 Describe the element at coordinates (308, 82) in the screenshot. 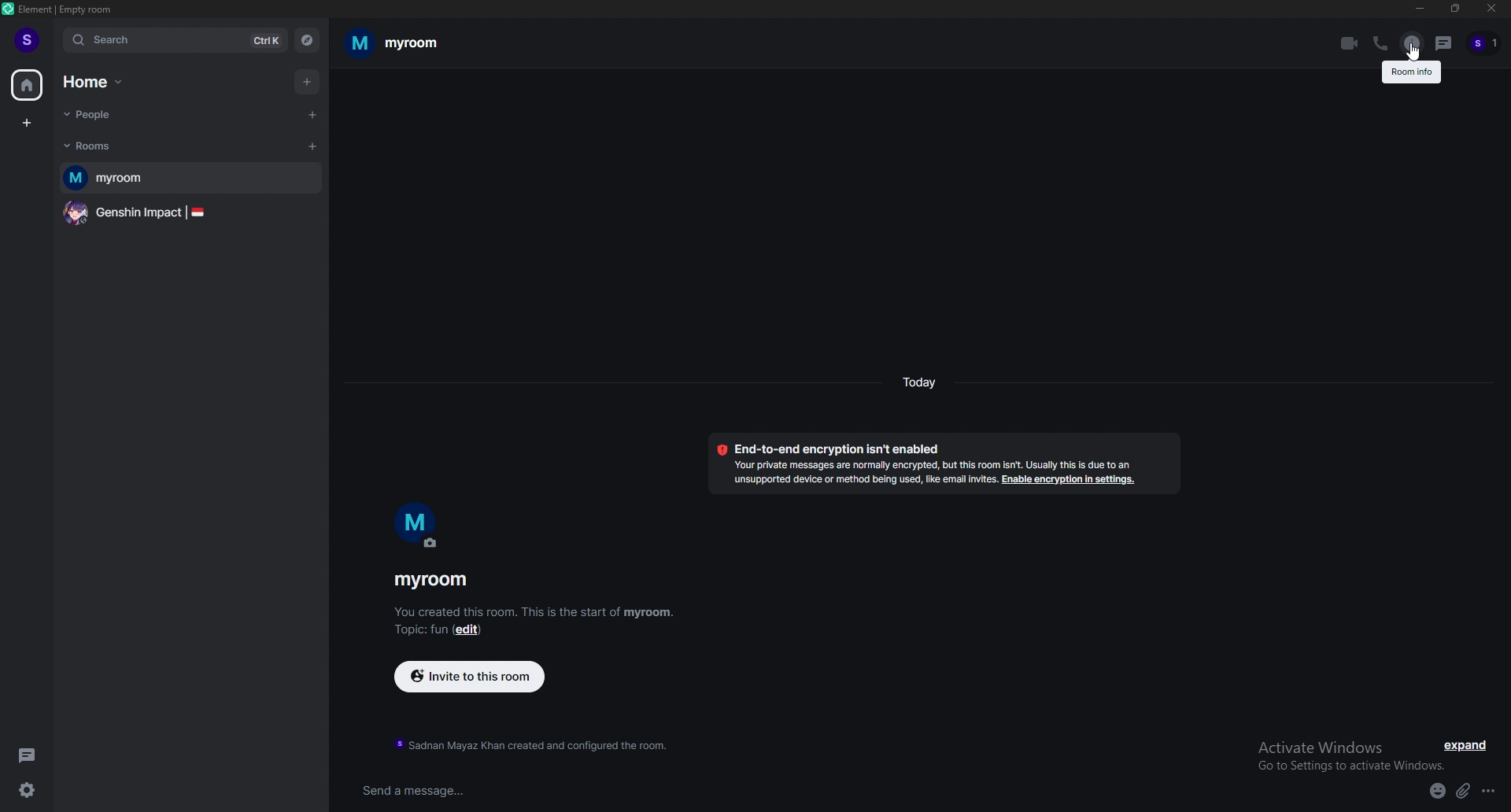

I see `add` at that location.